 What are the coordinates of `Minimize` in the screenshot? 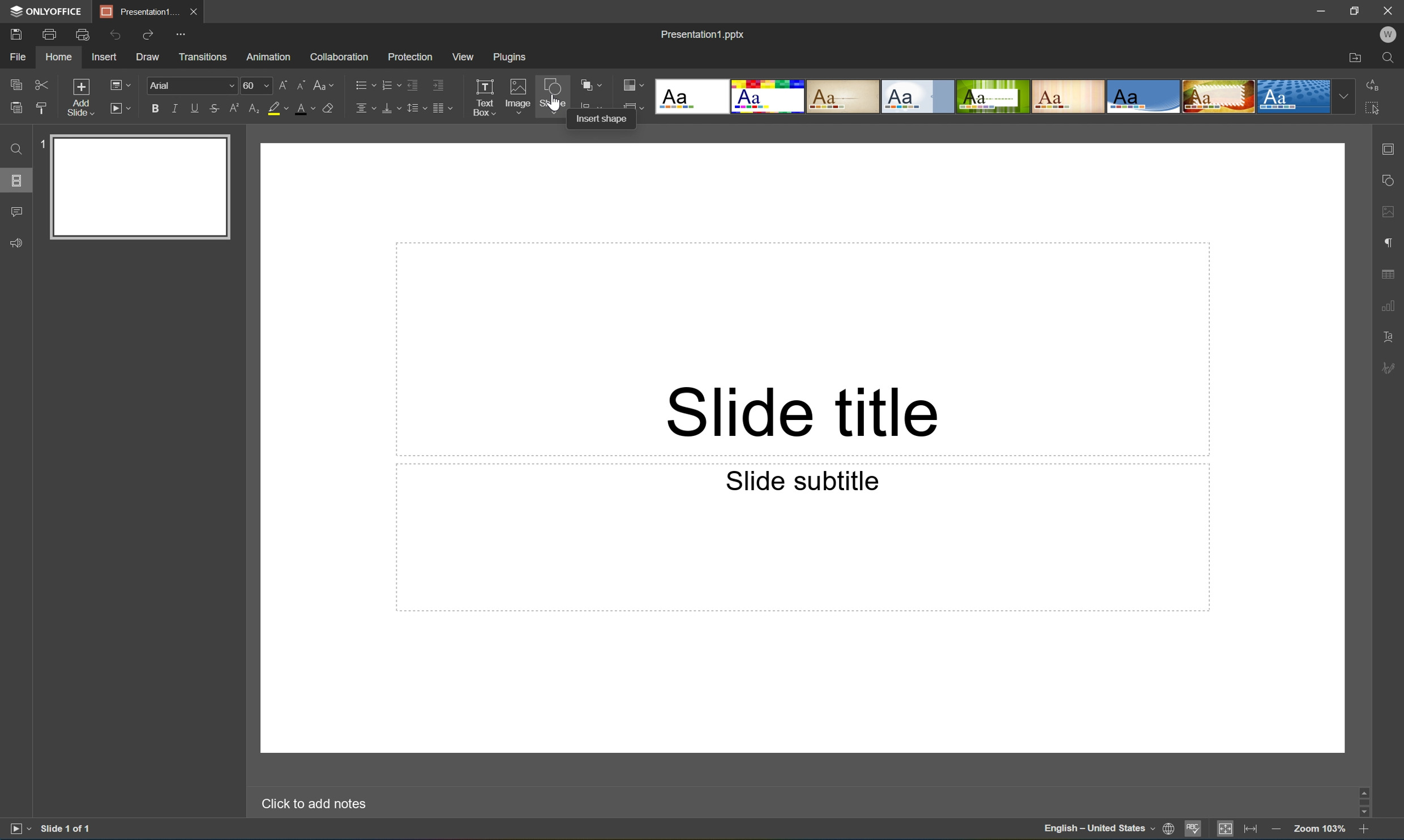 It's located at (1316, 10).